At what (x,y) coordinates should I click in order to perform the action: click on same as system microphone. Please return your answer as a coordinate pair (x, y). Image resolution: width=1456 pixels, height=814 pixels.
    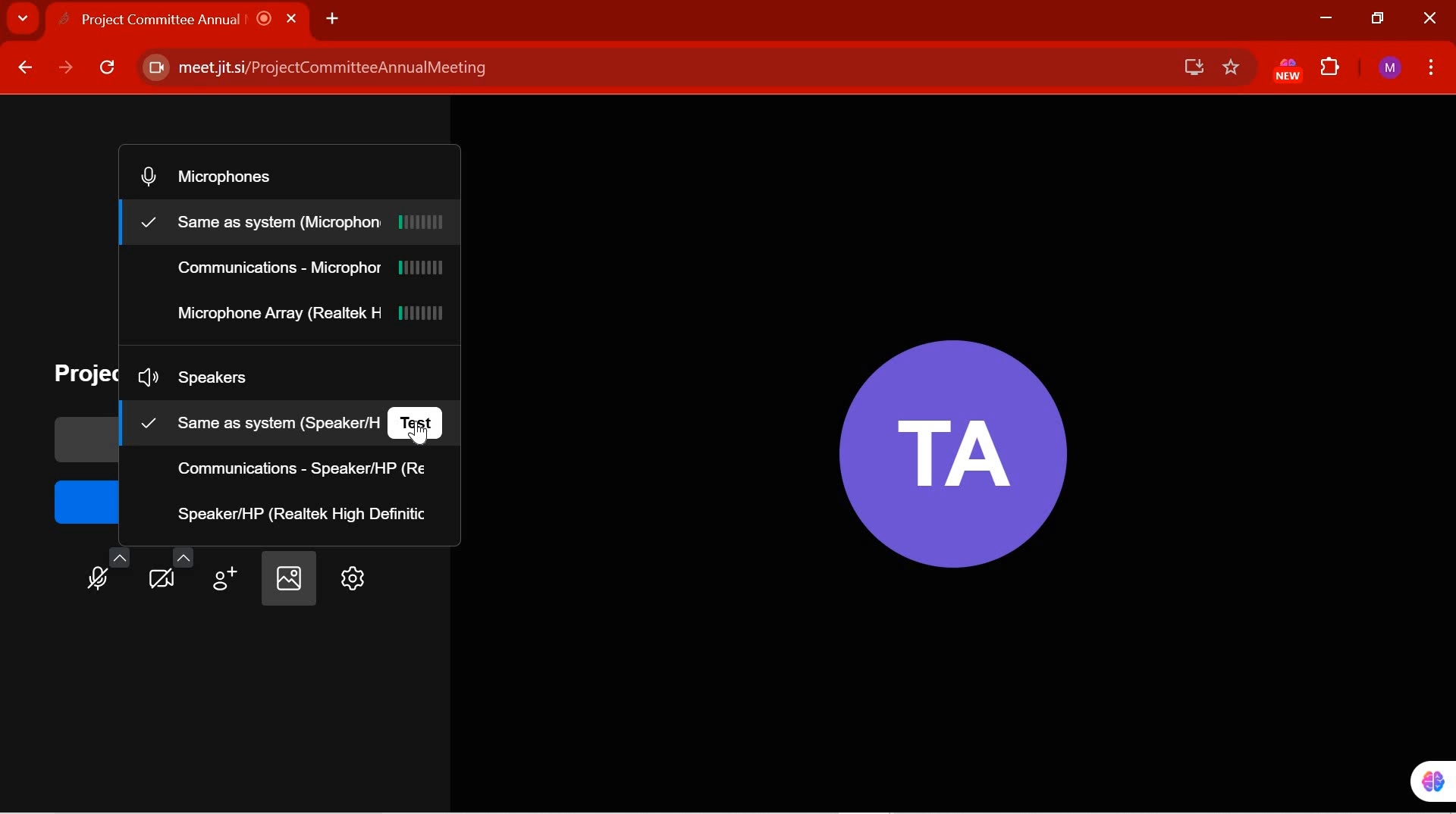
    Looking at the image, I should click on (294, 223).